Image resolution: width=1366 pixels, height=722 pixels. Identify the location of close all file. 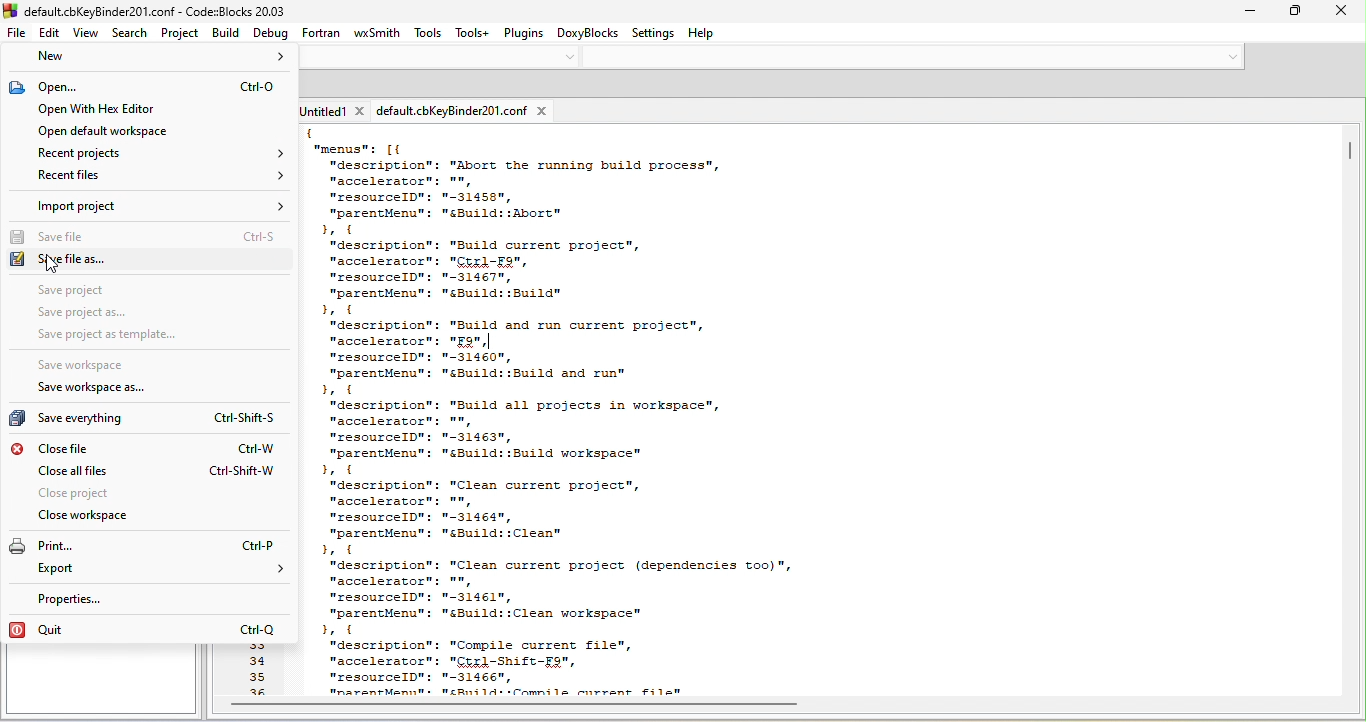
(153, 468).